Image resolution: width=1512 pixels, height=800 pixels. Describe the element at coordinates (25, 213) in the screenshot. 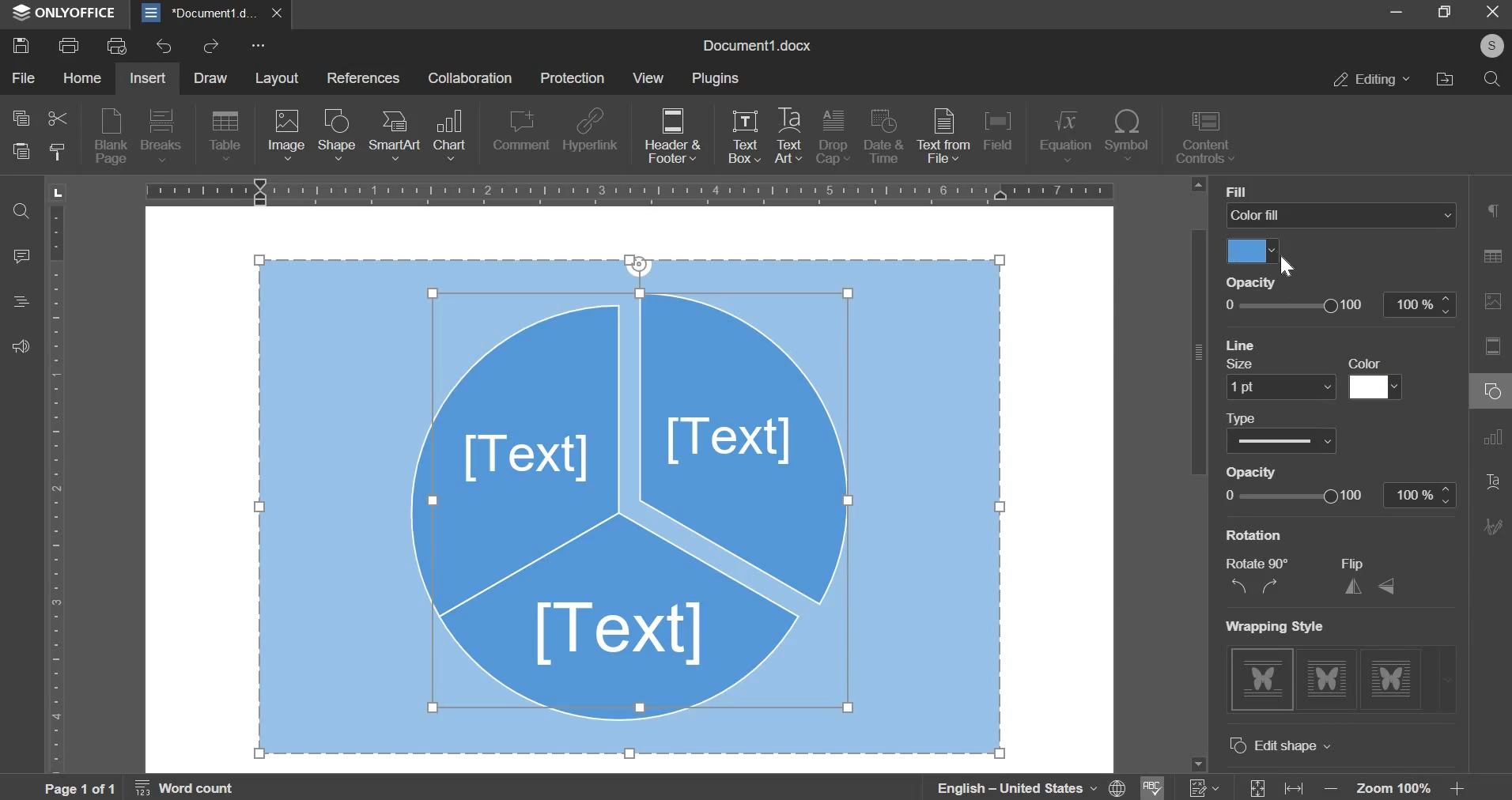

I see `Search and replace tool` at that location.